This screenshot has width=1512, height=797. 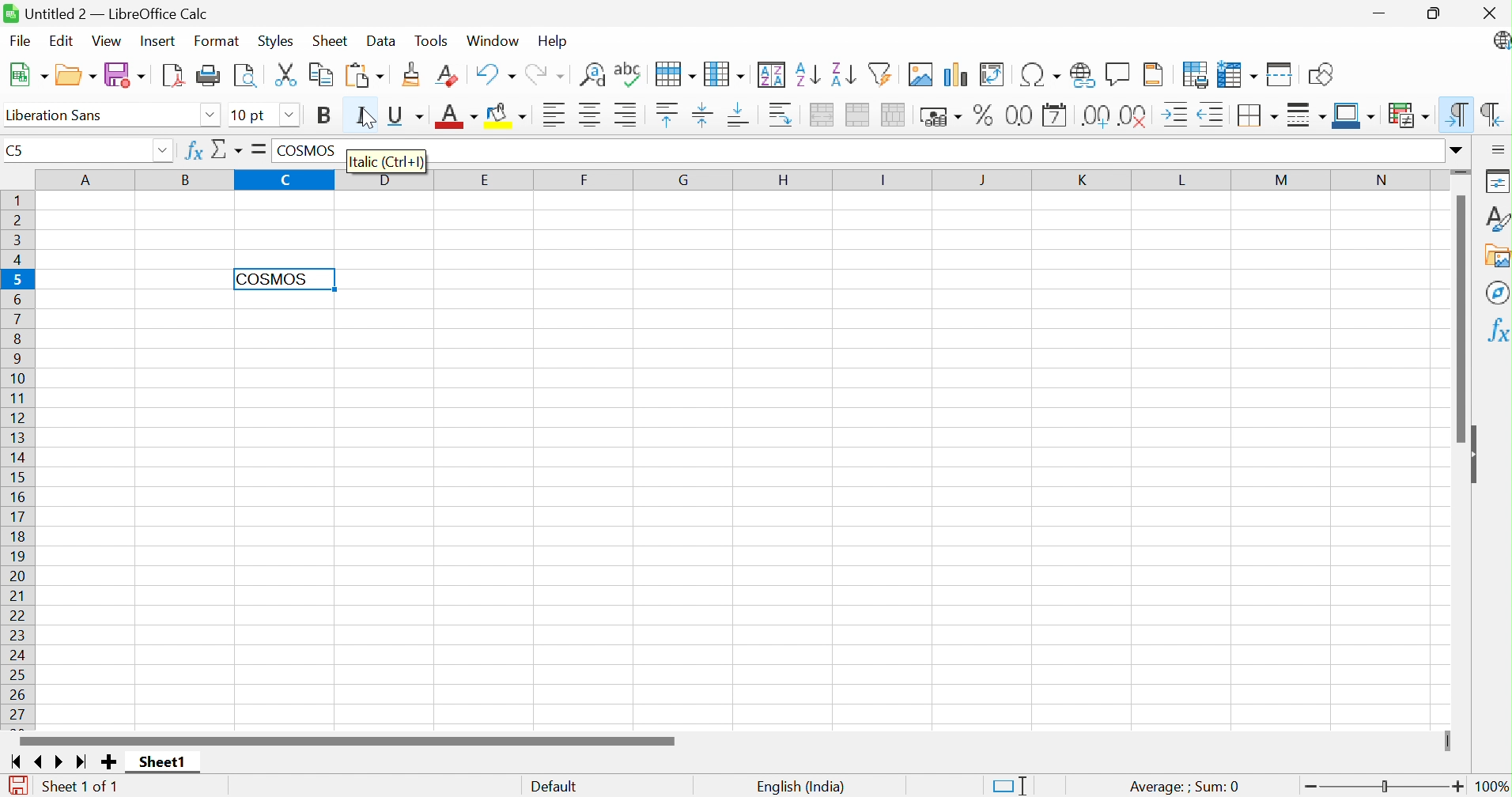 What do you see at coordinates (1494, 114) in the screenshot?
I see `Right-to-left` at bounding box center [1494, 114].